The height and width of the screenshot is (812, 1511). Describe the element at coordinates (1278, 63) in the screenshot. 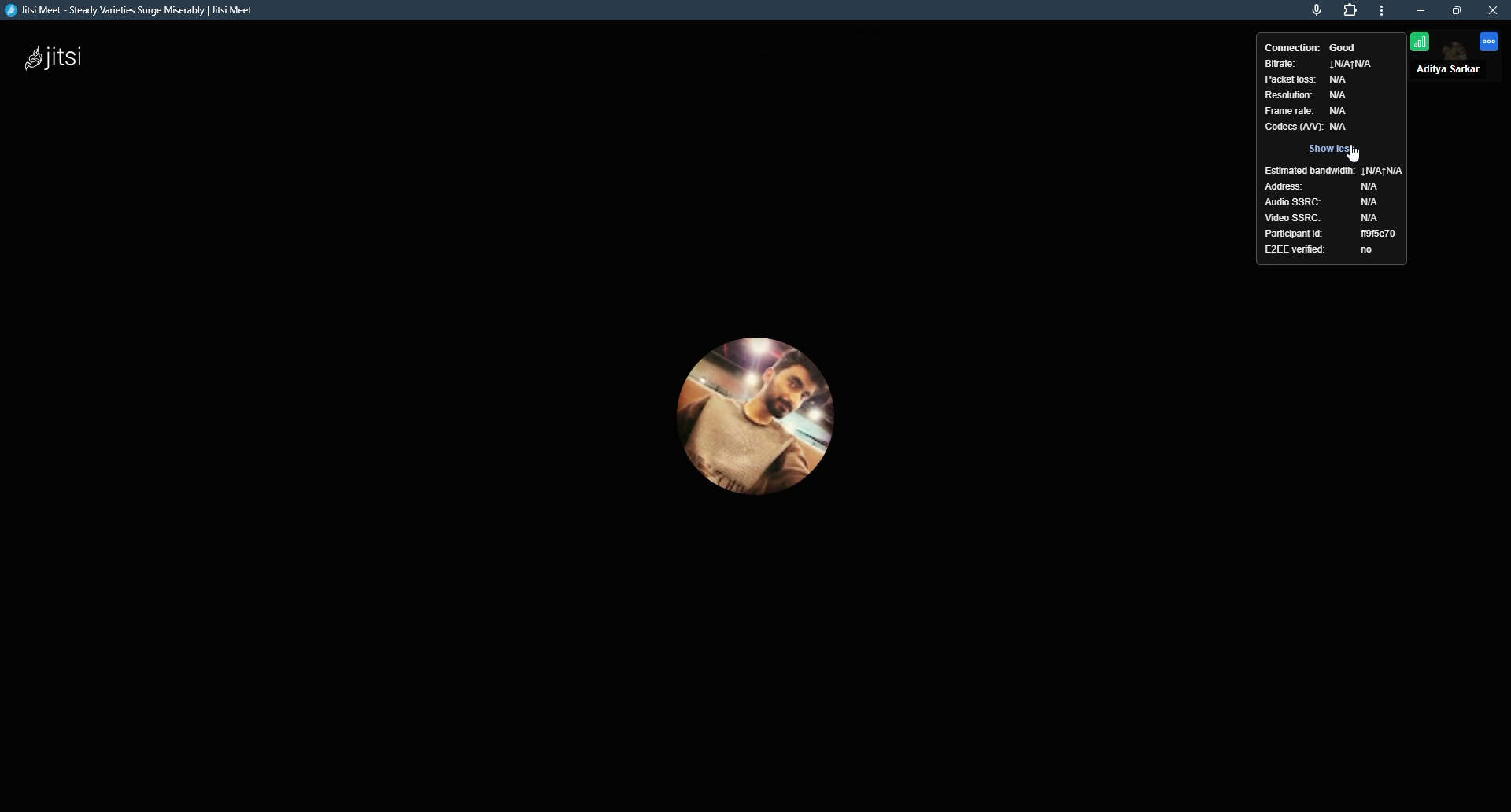

I see `bitrate` at that location.